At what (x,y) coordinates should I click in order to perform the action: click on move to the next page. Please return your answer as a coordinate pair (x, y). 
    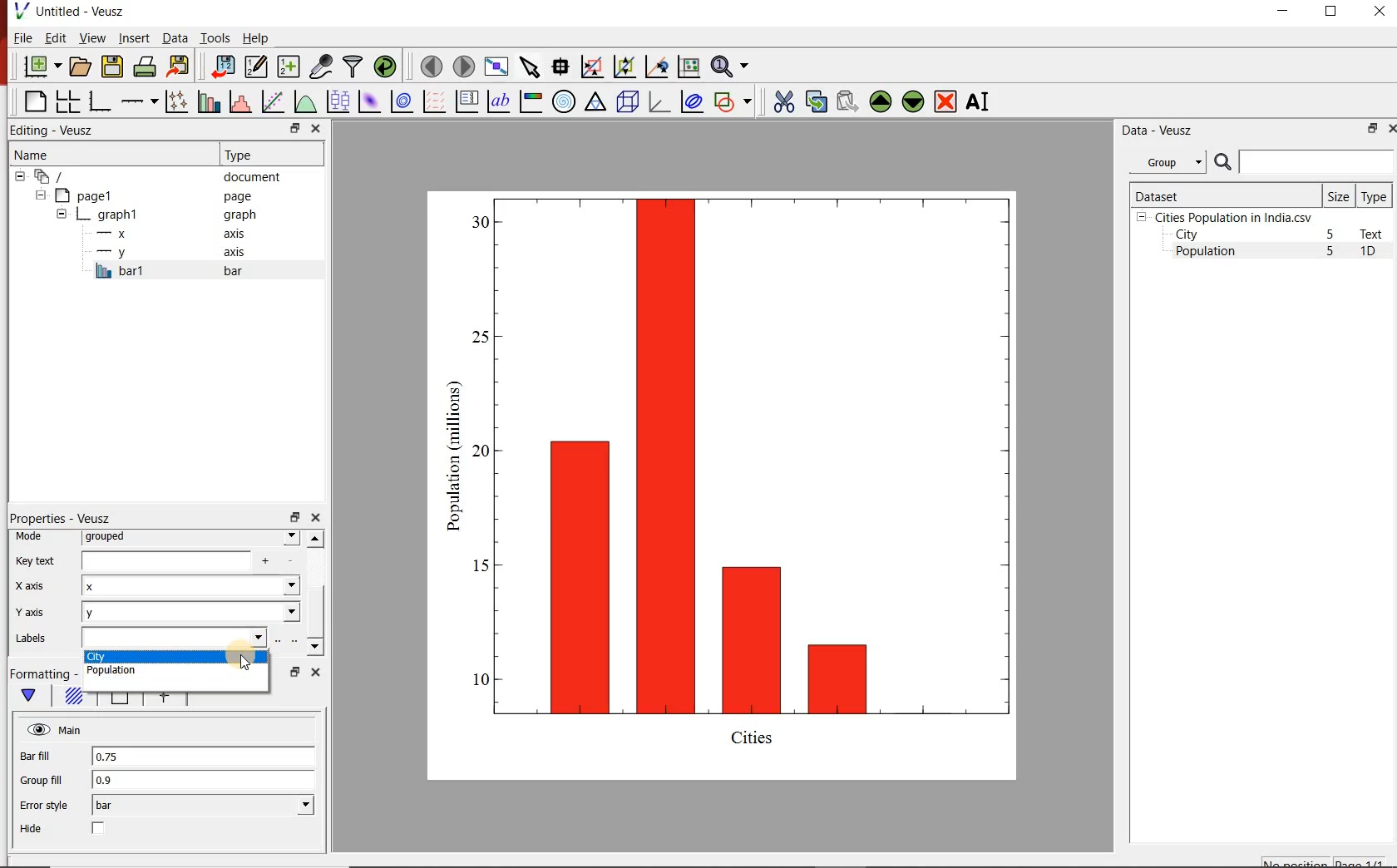
    Looking at the image, I should click on (462, 66).